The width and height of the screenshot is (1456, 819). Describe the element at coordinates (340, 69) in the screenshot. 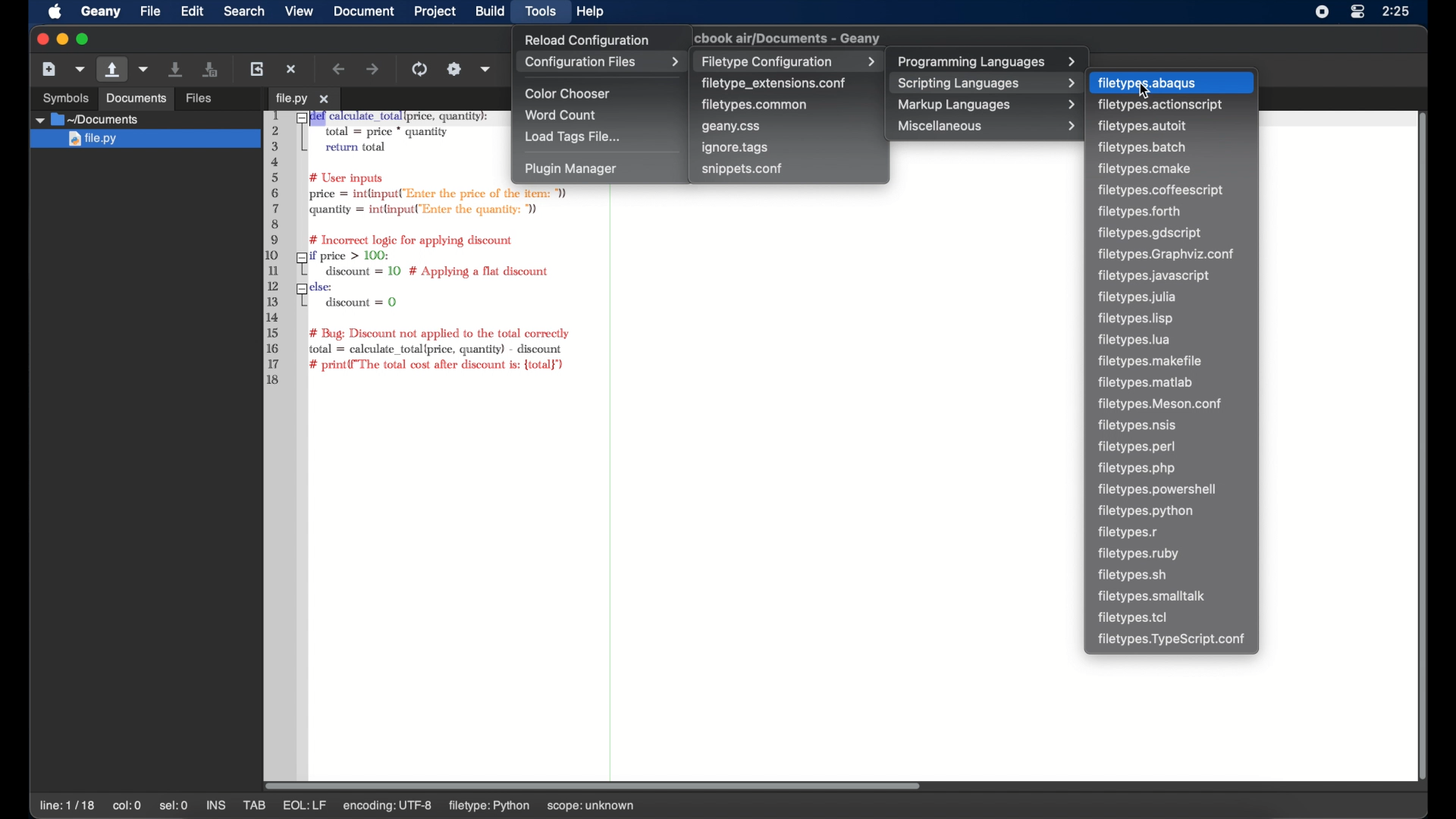

I see `navigate backward a location` at that location.